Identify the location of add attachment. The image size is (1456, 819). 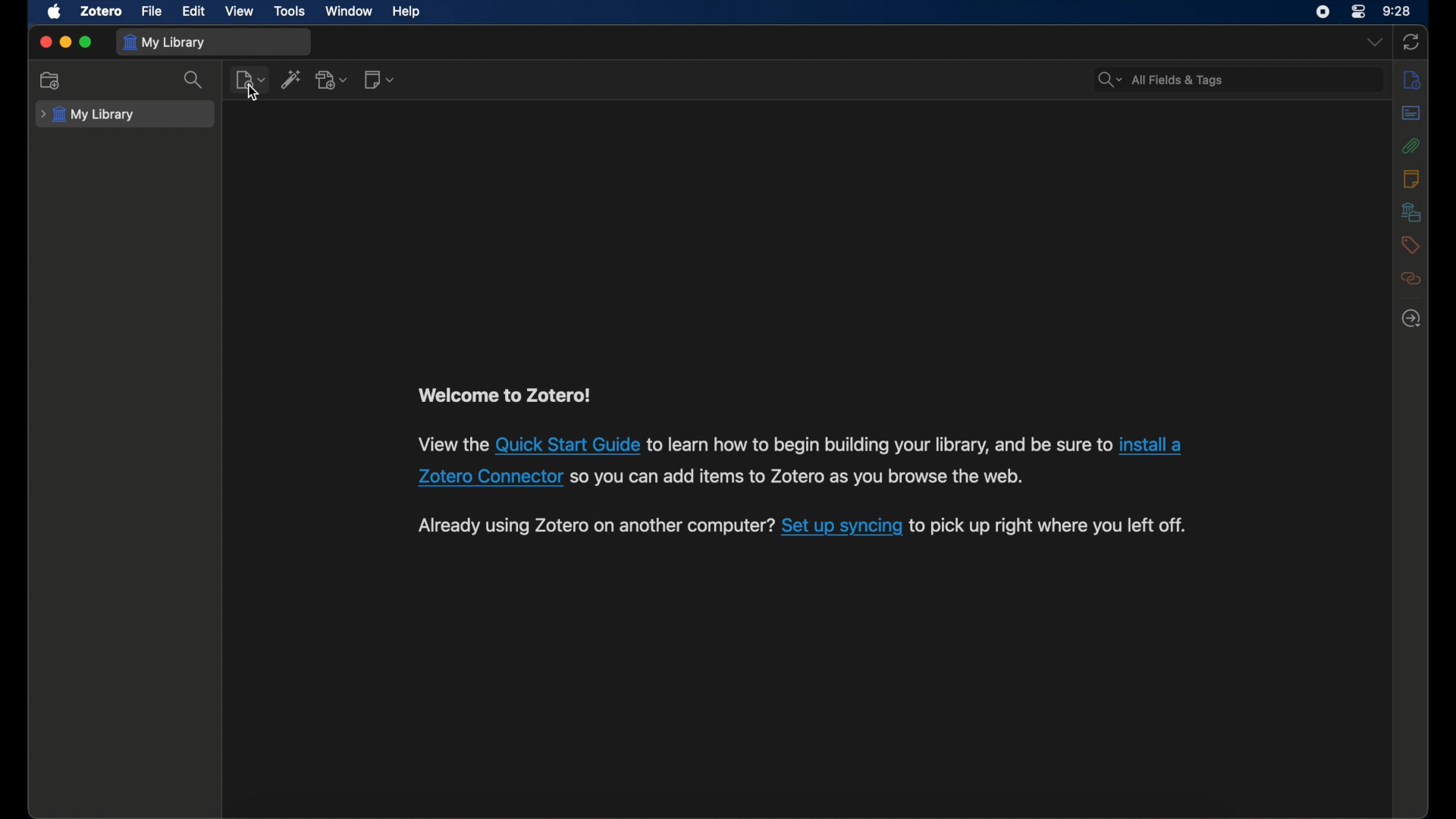
(331, 80).